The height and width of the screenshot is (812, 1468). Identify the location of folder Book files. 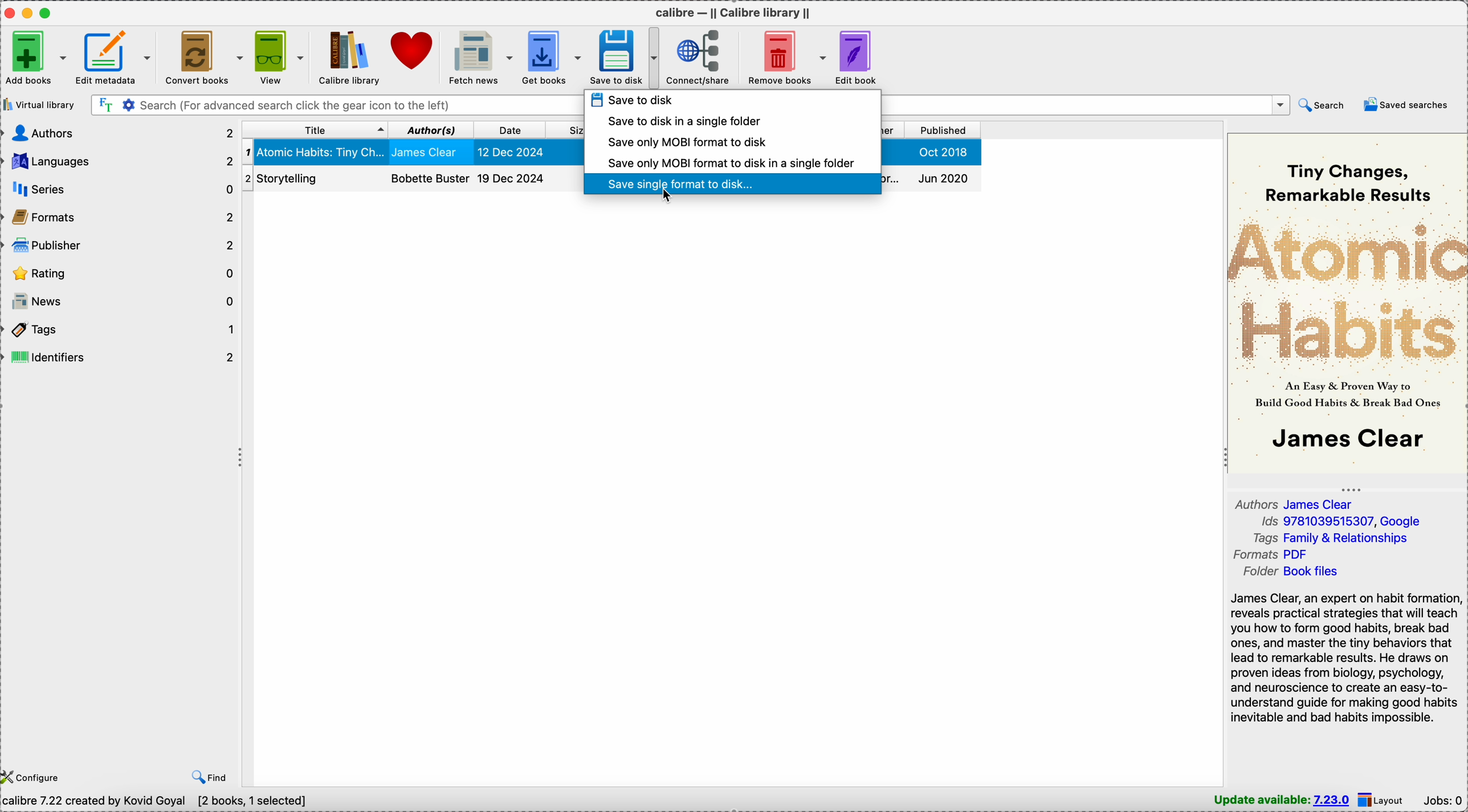
(1292, 572).